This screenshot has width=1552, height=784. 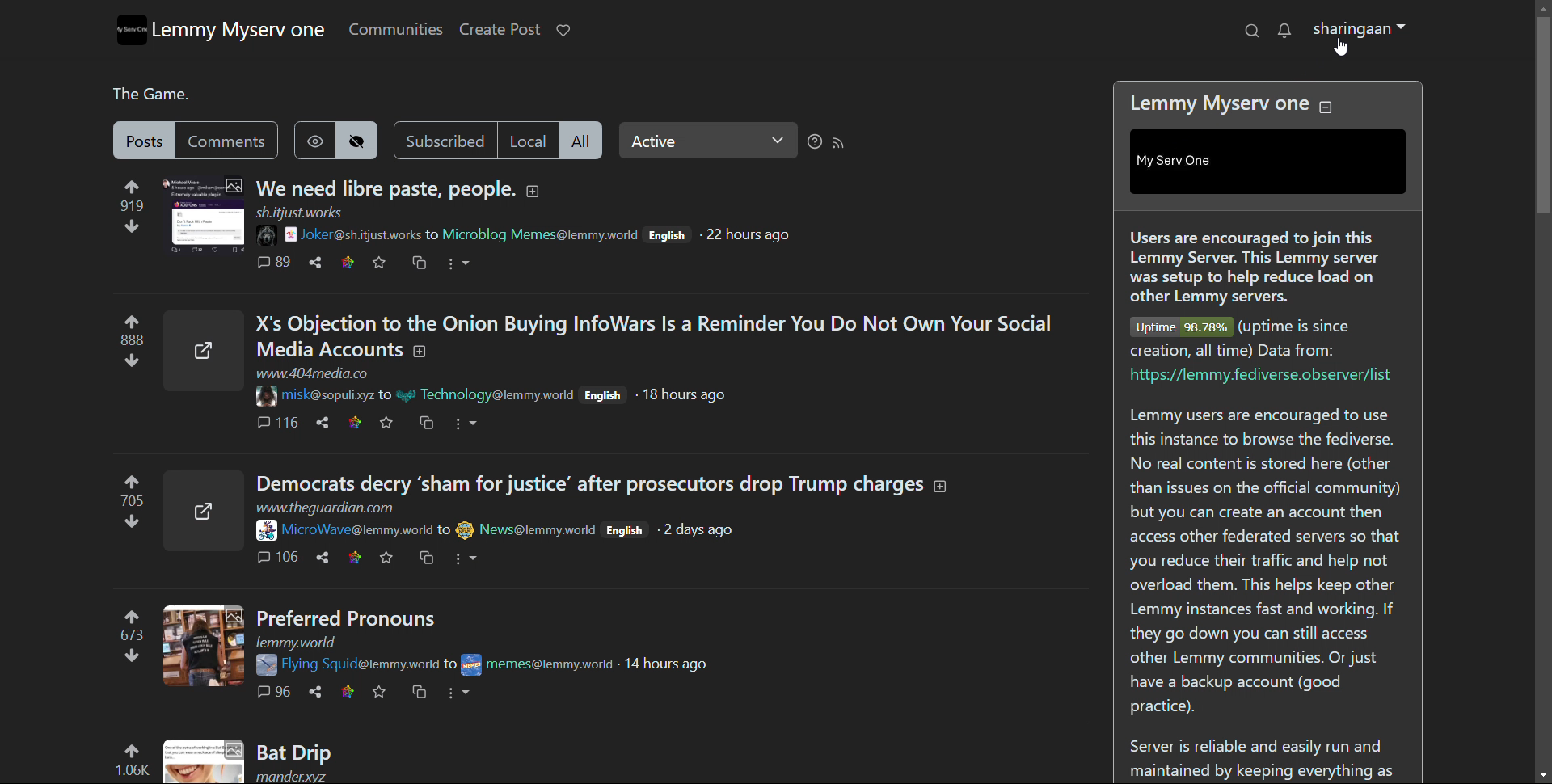 What do you see at coordinates (351, 617) in the screenshot?
I see `Preferred Pronouns` at bounding box center [351, 617].